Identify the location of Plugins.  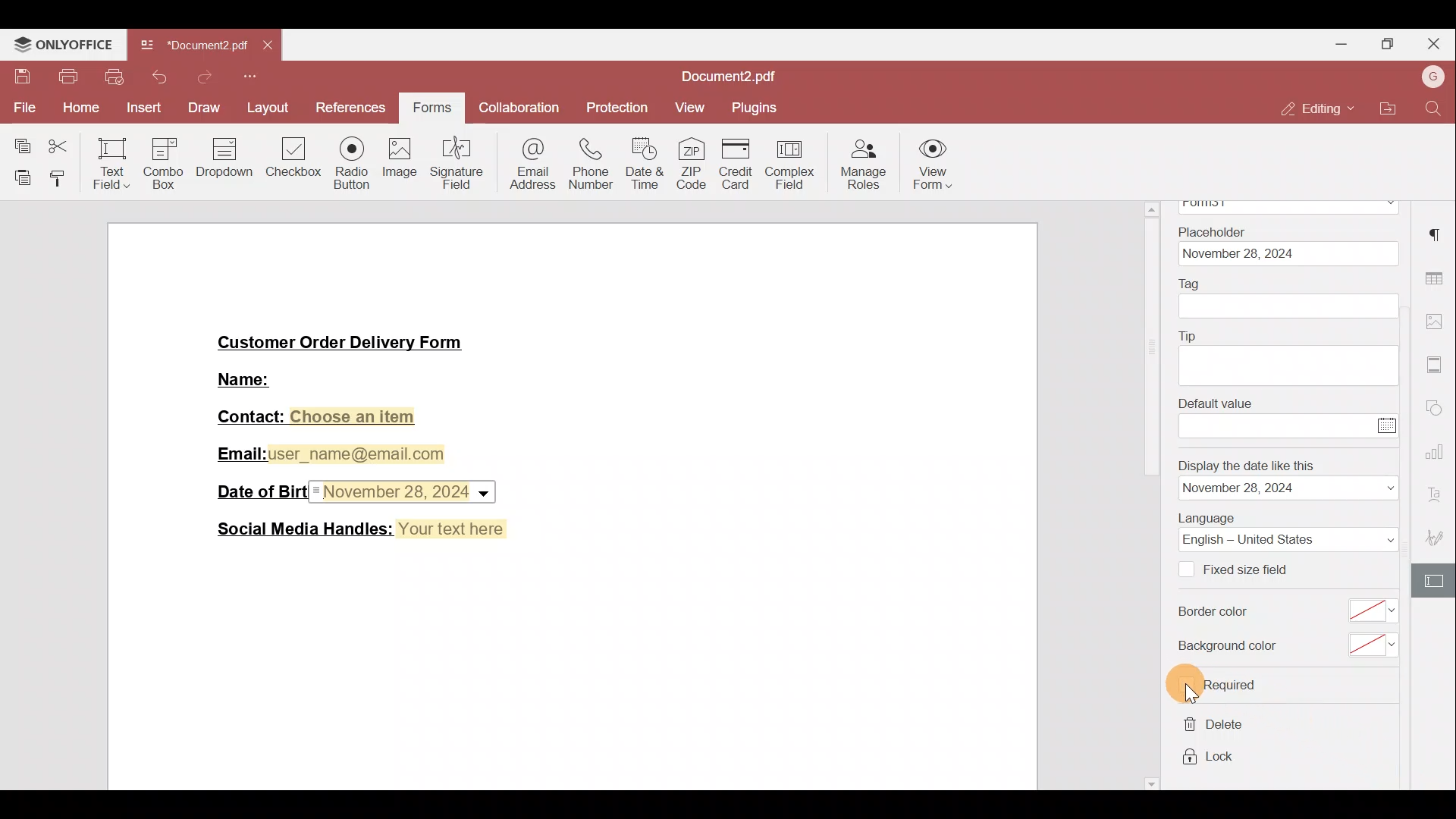
(761, 107).